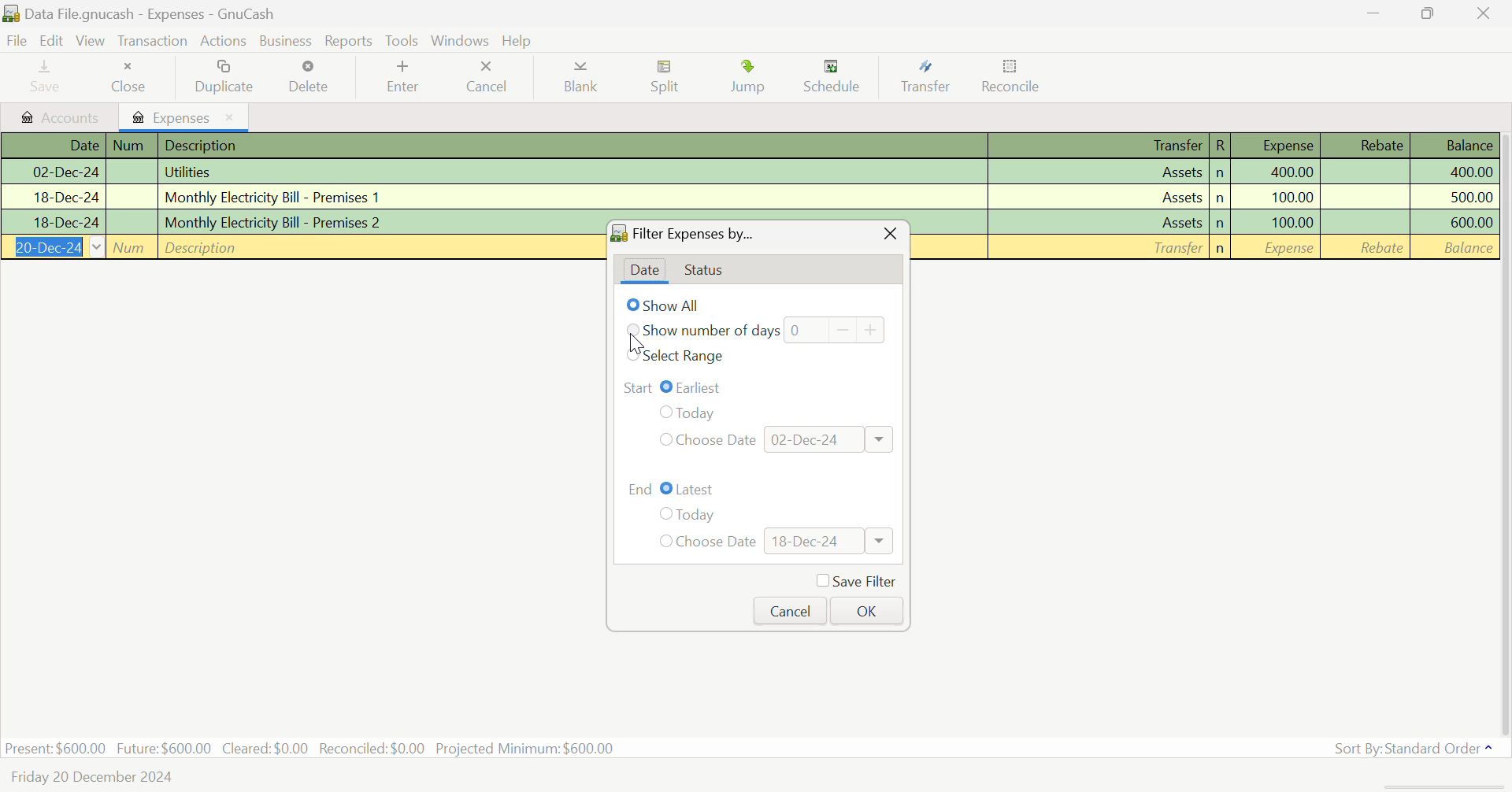  I want to click on Cursor on number of days, so click(633, 335).